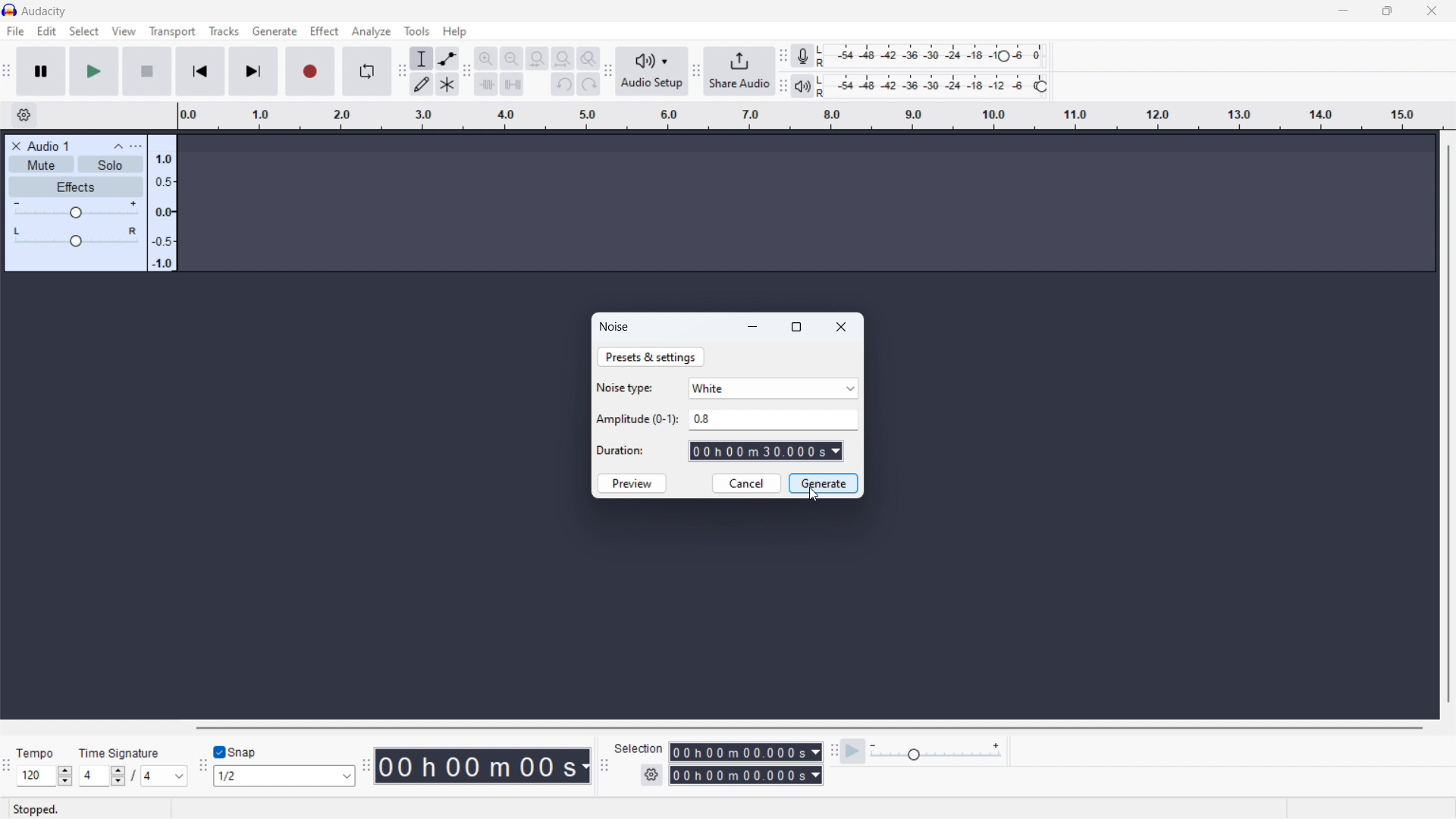 This screenshot has height=819, width=1456. I want to click on generate, so click(824, 483).